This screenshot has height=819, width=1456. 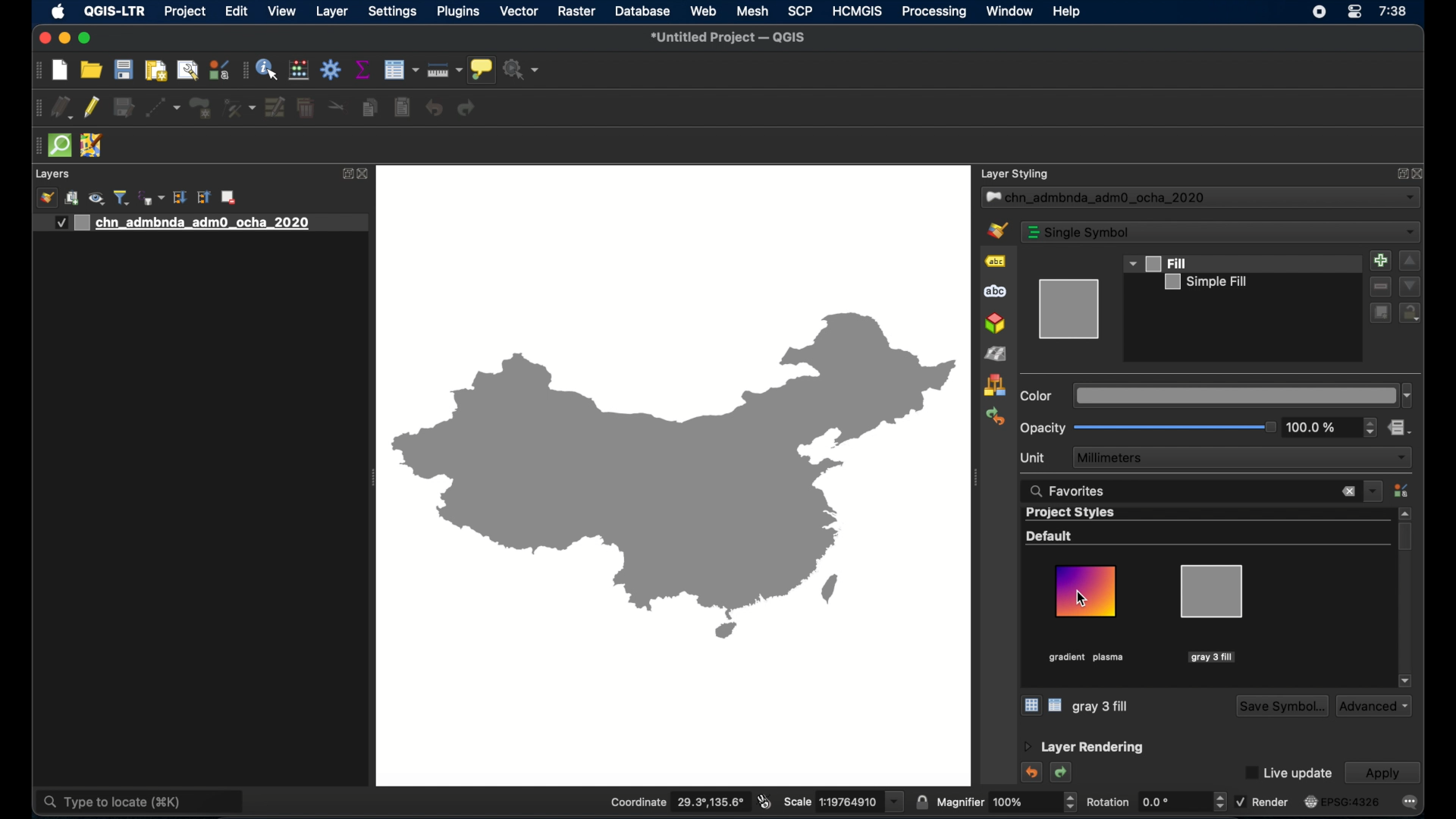 What do you see at coordinates (275, 108) in the screenshot?
I see `modify attributes` at bounding box center [275, 108].